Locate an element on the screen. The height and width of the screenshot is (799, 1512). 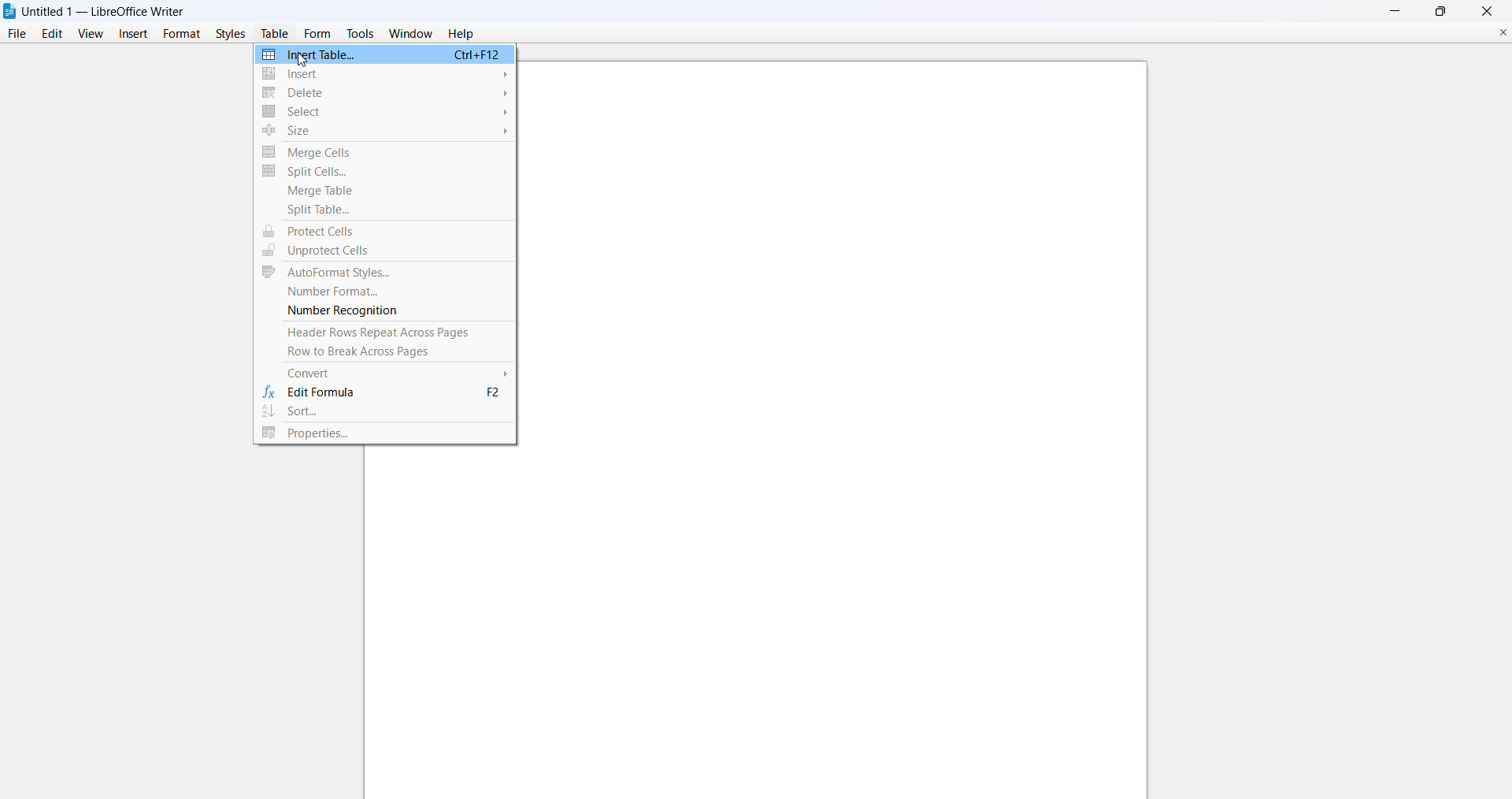
form is located at coordinates (317, 33).